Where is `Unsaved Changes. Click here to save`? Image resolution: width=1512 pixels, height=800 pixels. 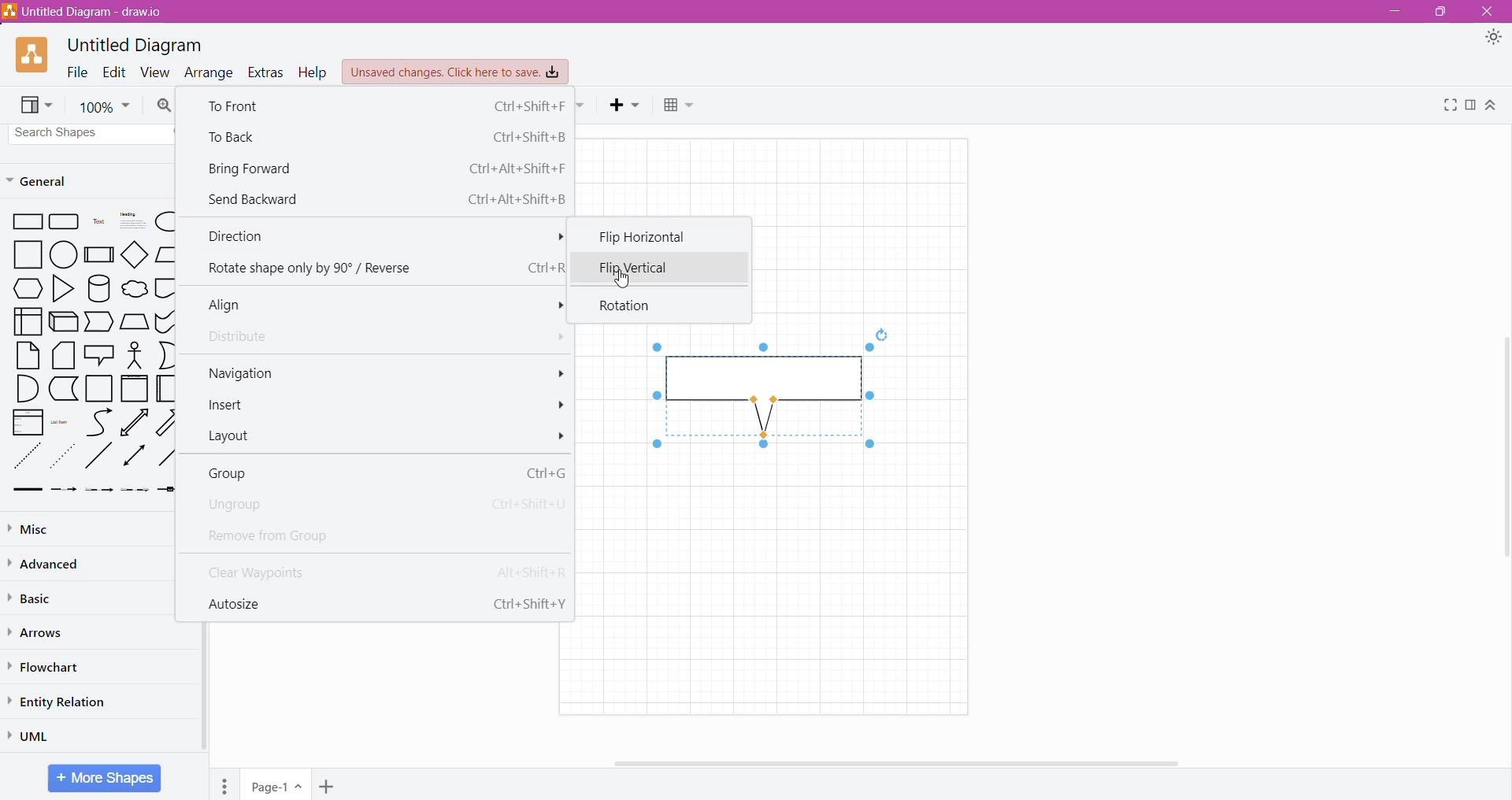 Unsaved Changes. Click here to save is located at coordinates (456, 72).